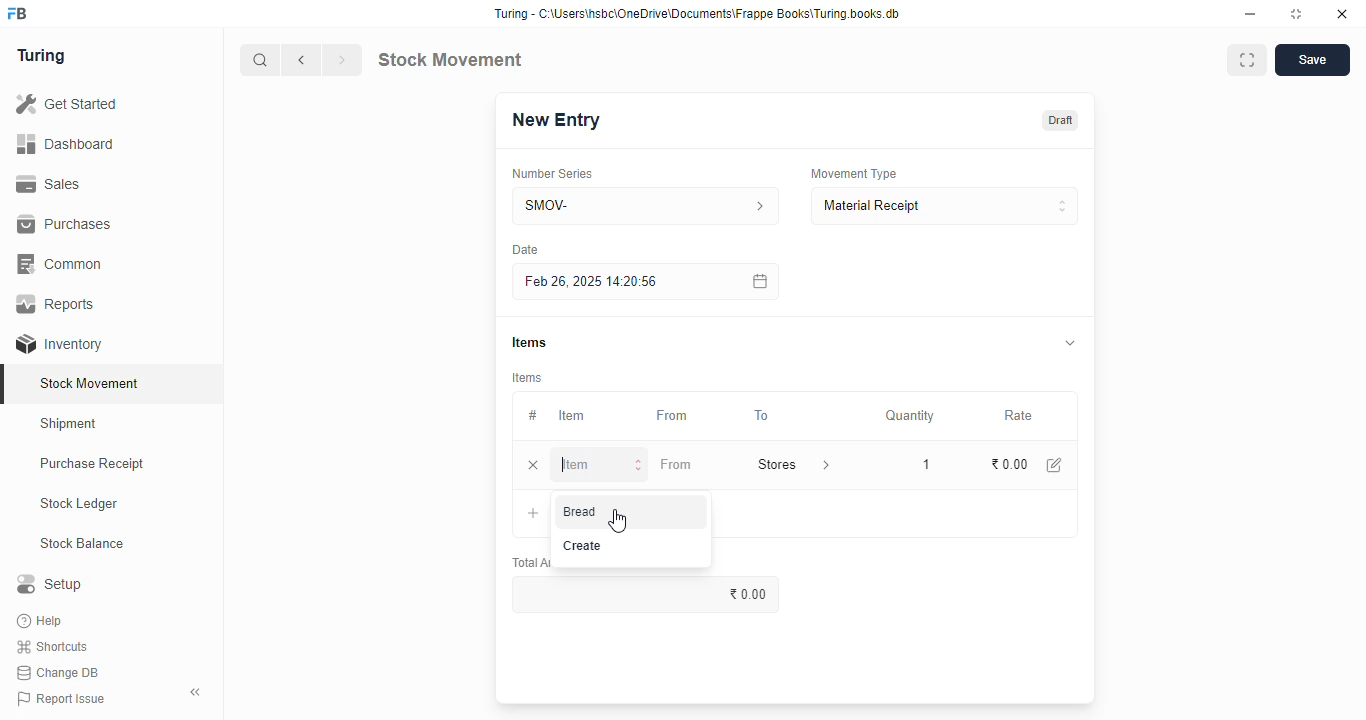 The width and height of the screenshot is (1366, 720). What do you see at coordinates (62, 264) in the screenshot?
I see `common` at bounding box center [62, 264].